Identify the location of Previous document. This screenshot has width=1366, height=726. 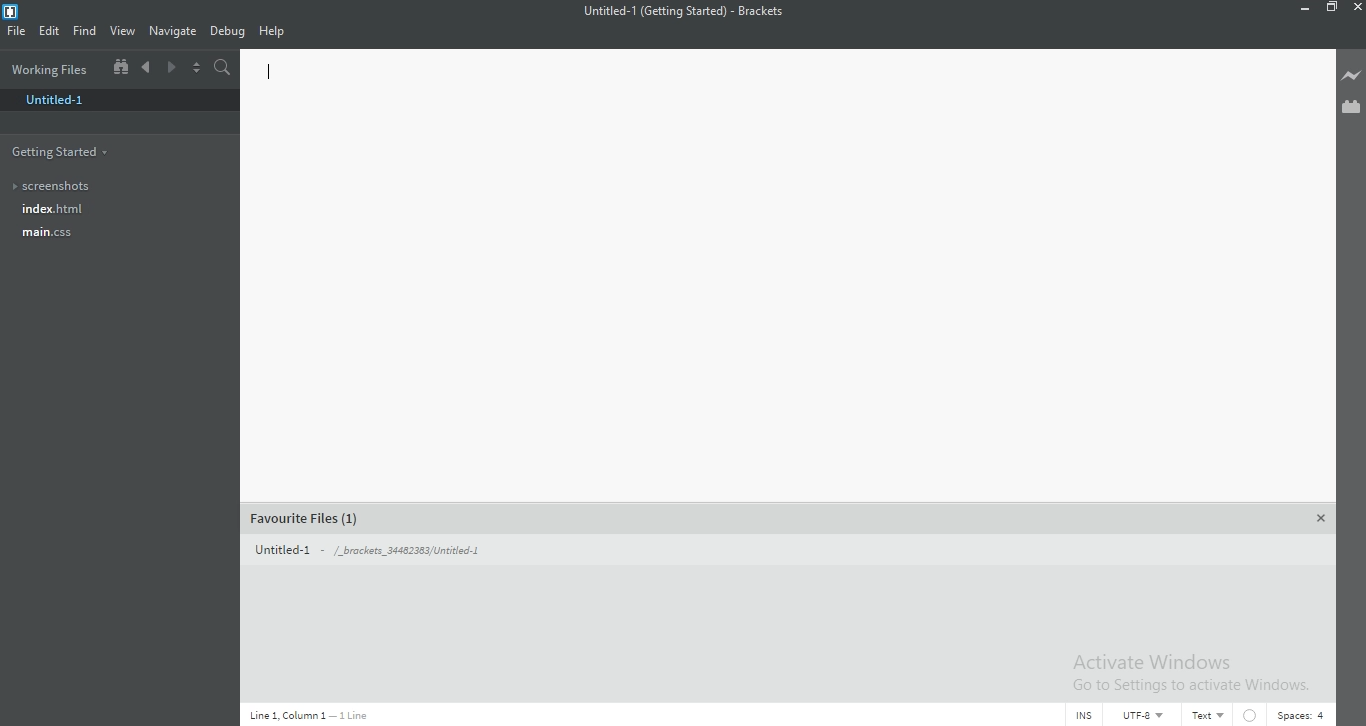
(149, 69).